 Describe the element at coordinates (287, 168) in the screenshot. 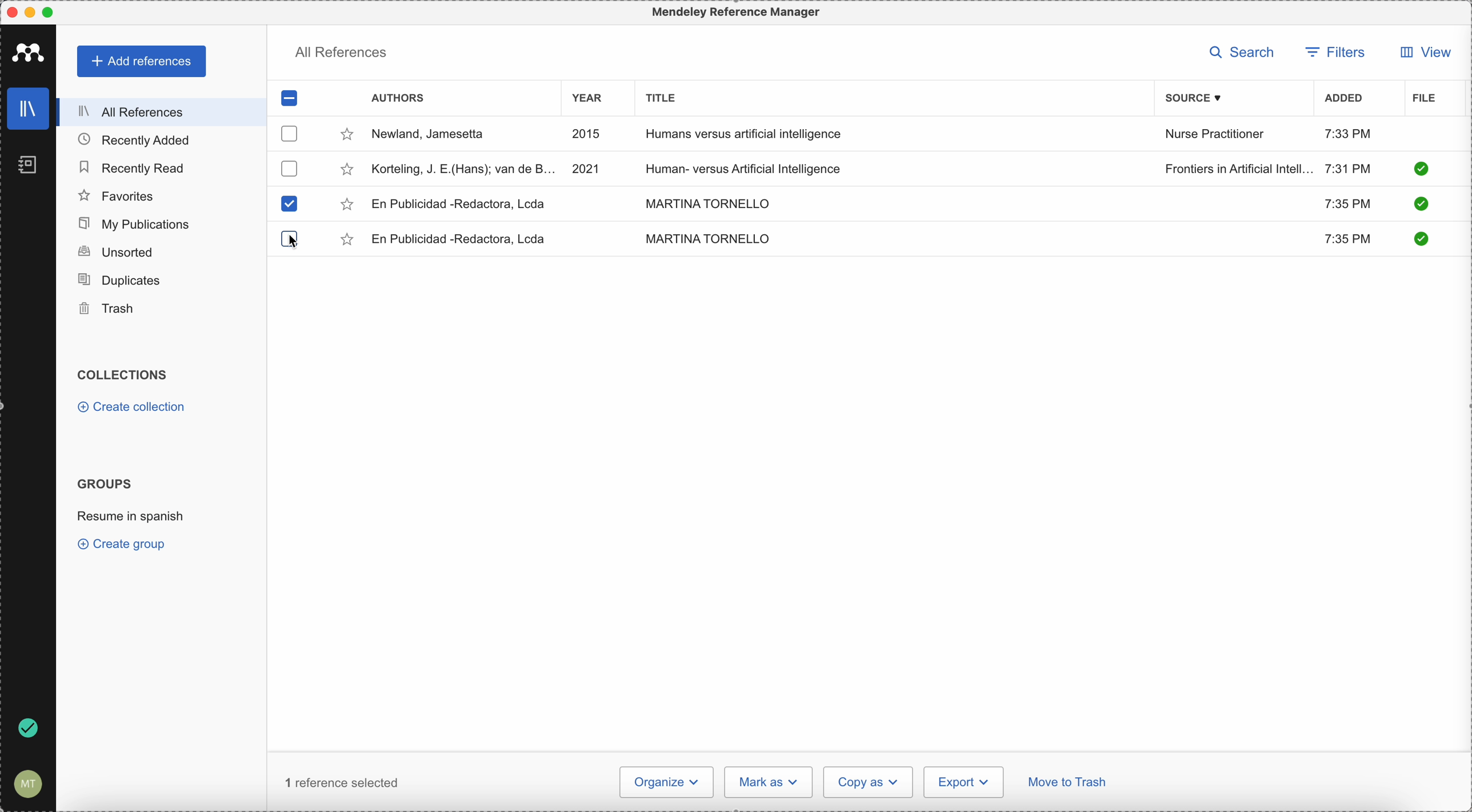

I see `checkbox` at that location.